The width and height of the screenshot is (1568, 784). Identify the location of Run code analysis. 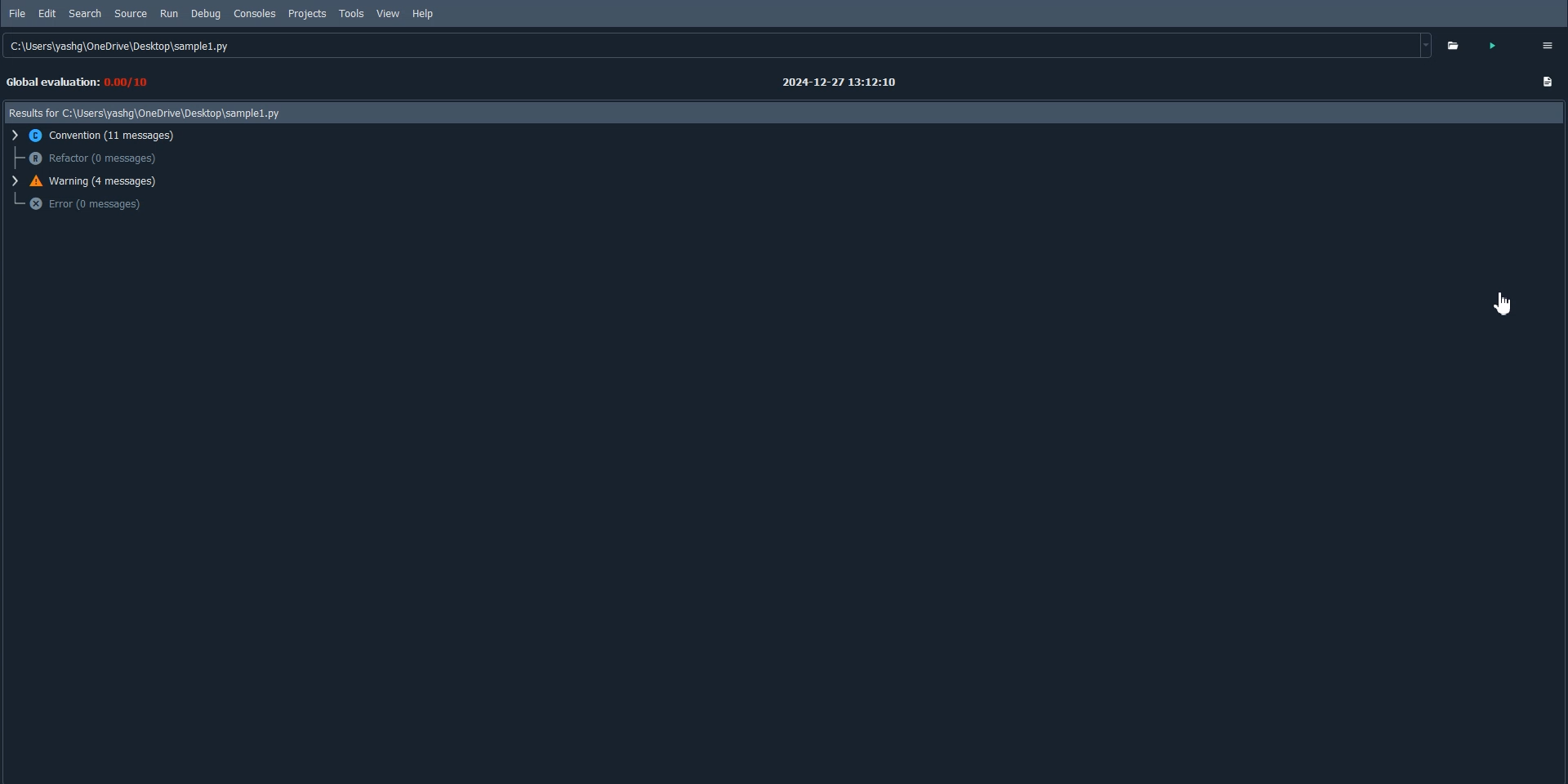
(1500, 45).